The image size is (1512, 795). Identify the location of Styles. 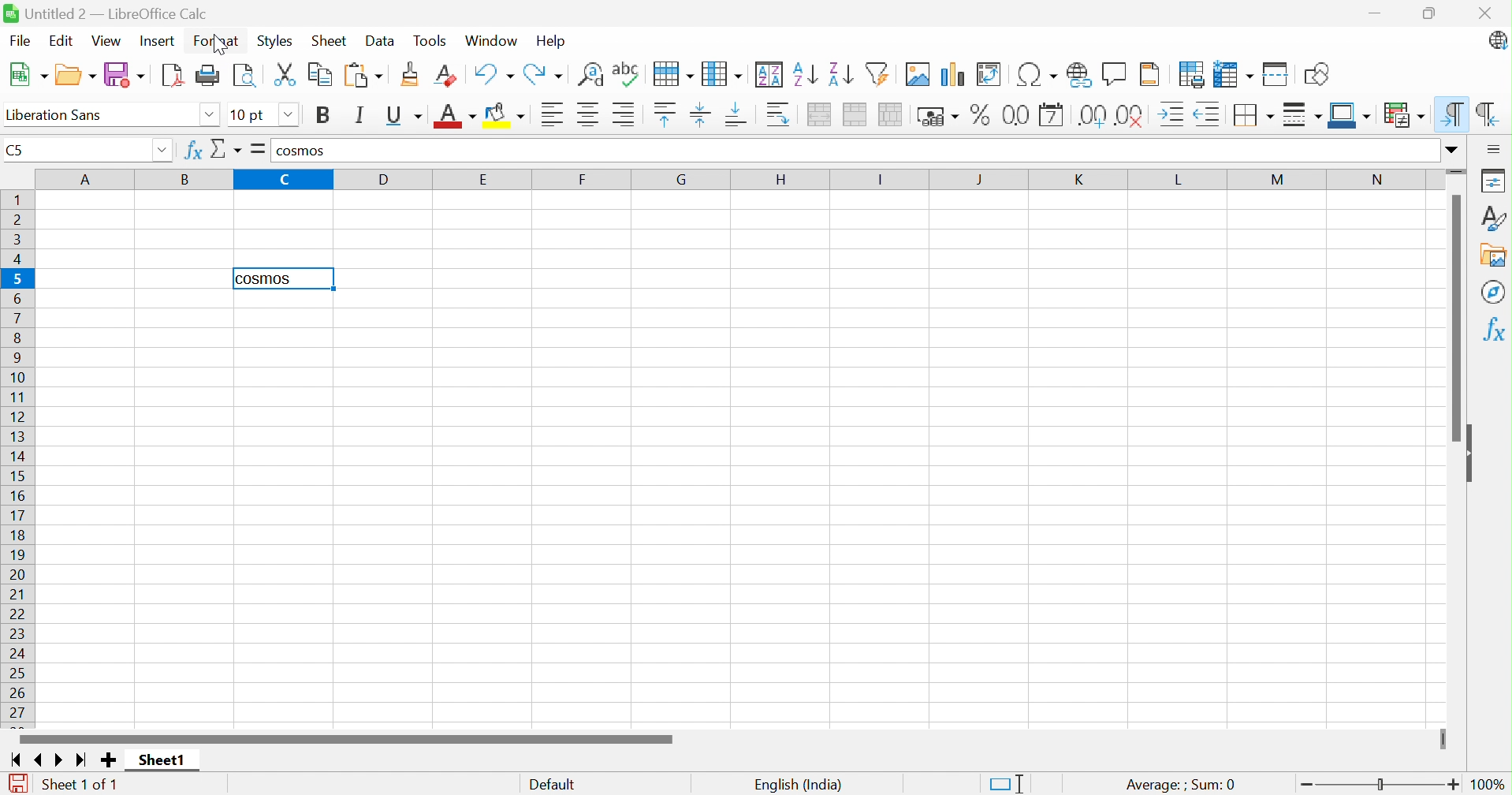
(1494, 218).